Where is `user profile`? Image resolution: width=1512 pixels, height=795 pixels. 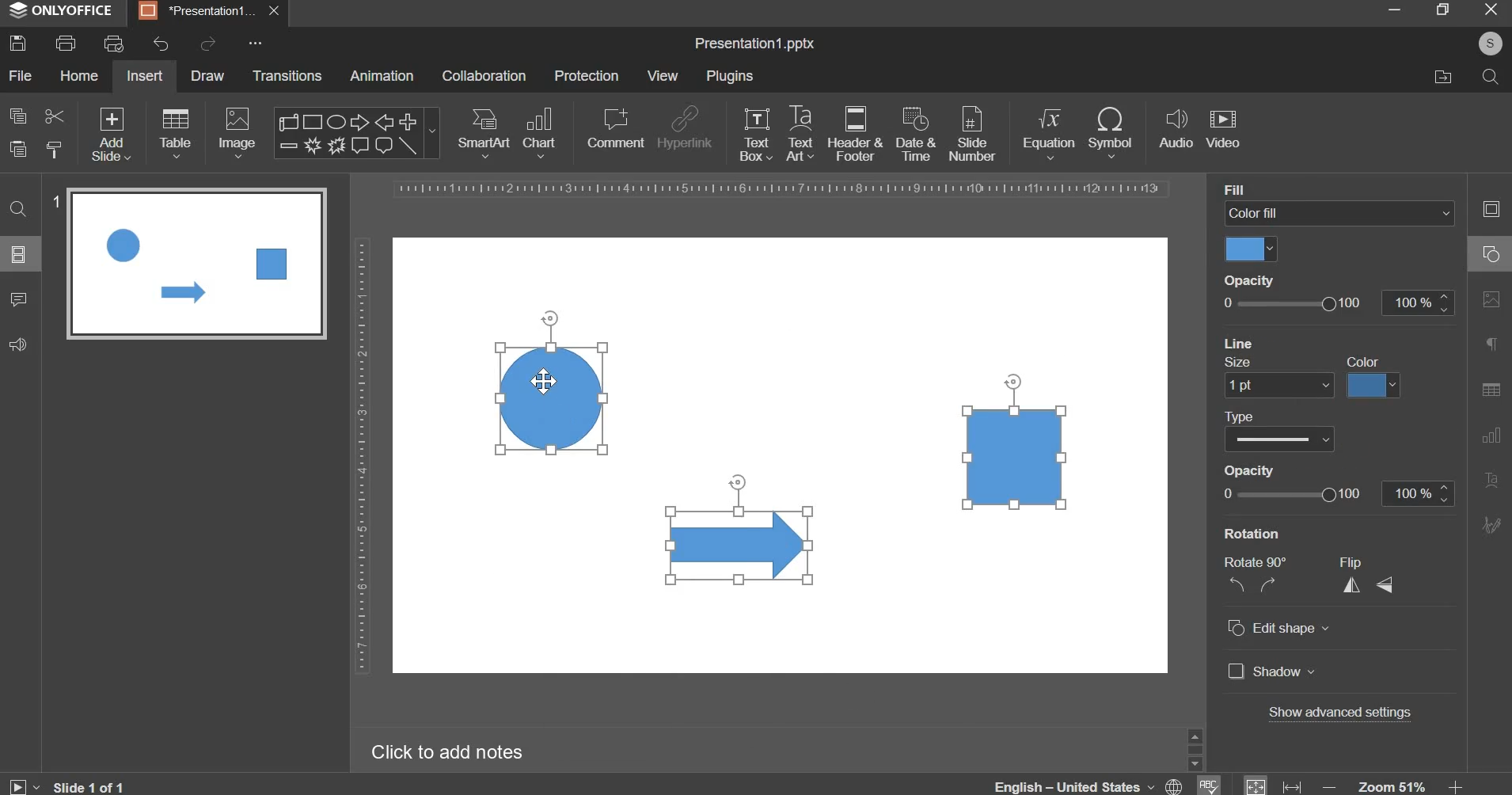
user profile is located at coordinates (1490, 44).